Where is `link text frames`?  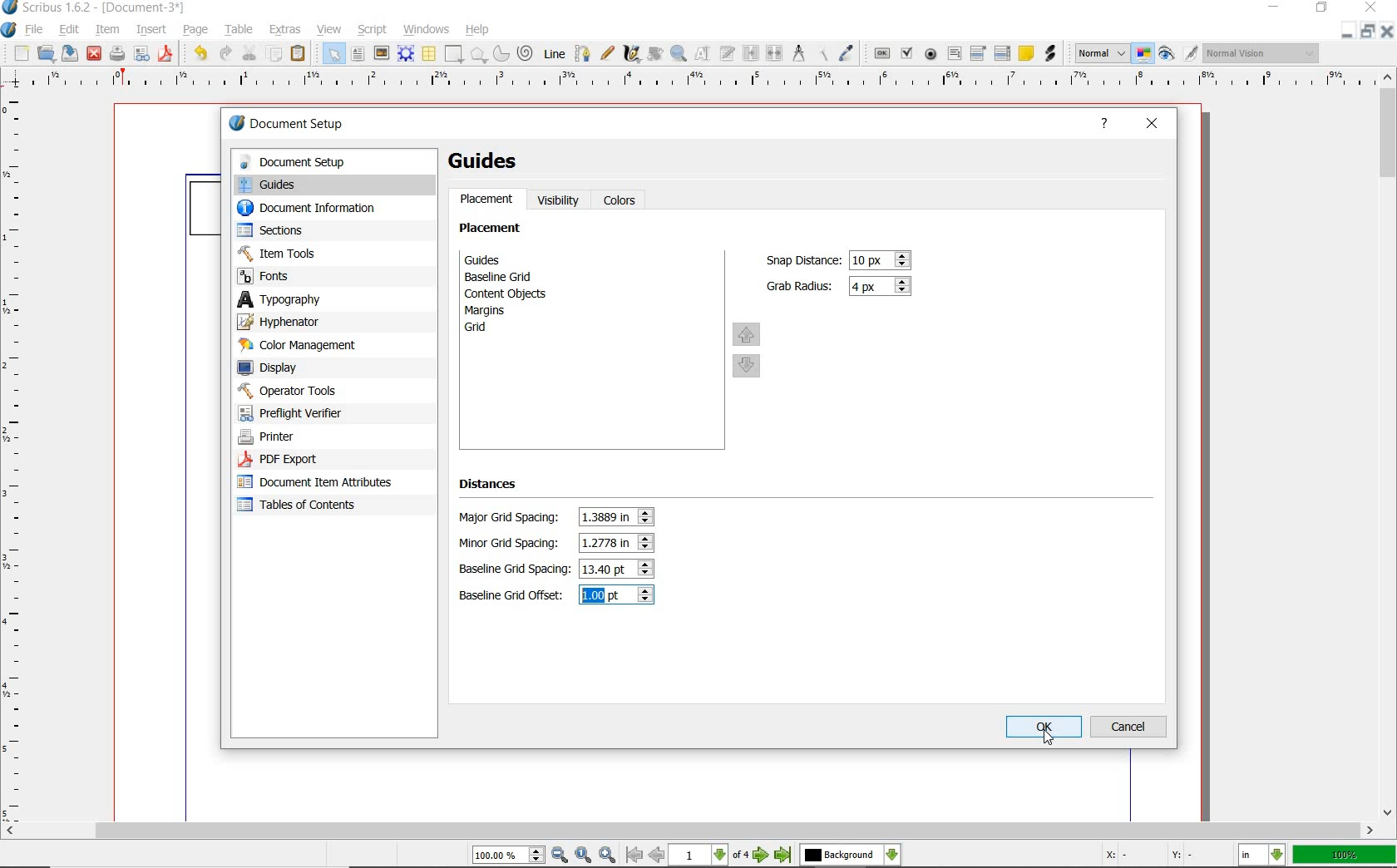 link text frames is located at coordinates (751, 53).